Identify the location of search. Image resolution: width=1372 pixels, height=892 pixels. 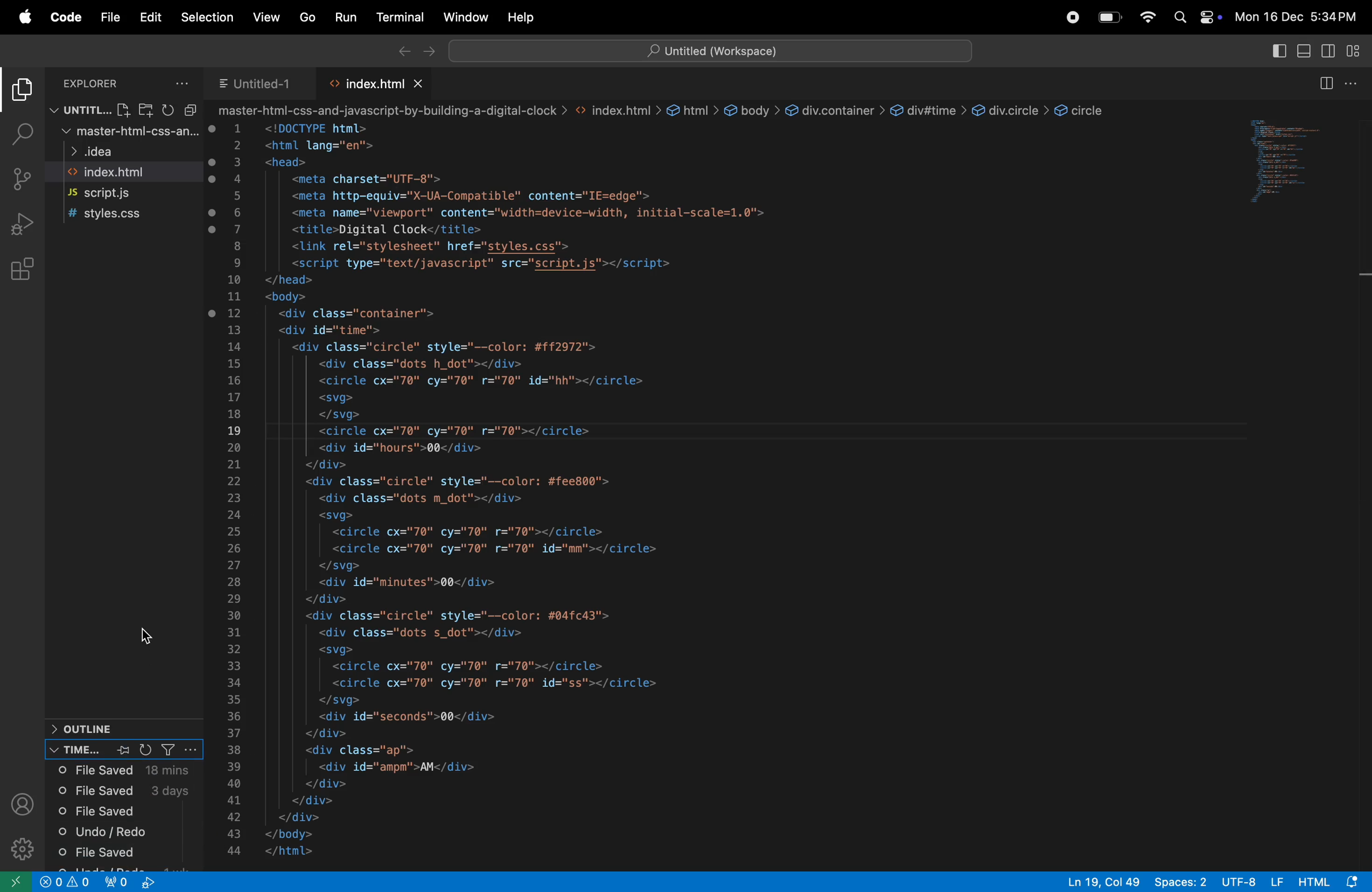
(24, 132).